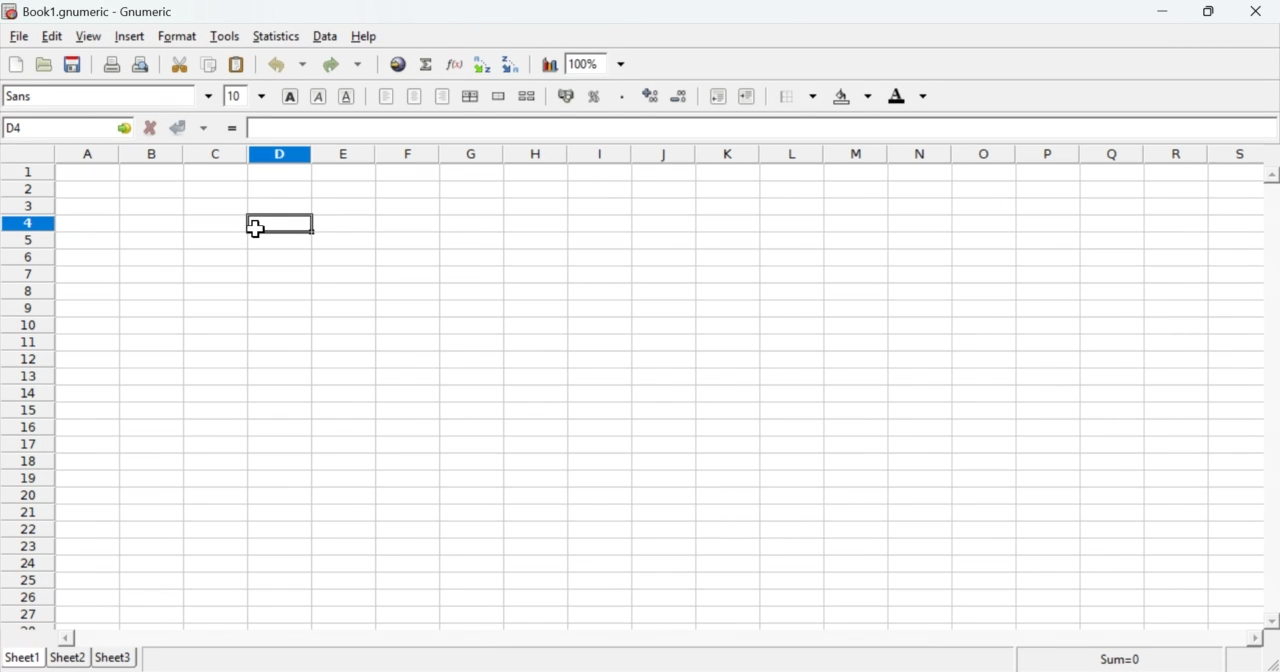 The image size is (1280, 672). I want to click on Border, so click(799, 97).